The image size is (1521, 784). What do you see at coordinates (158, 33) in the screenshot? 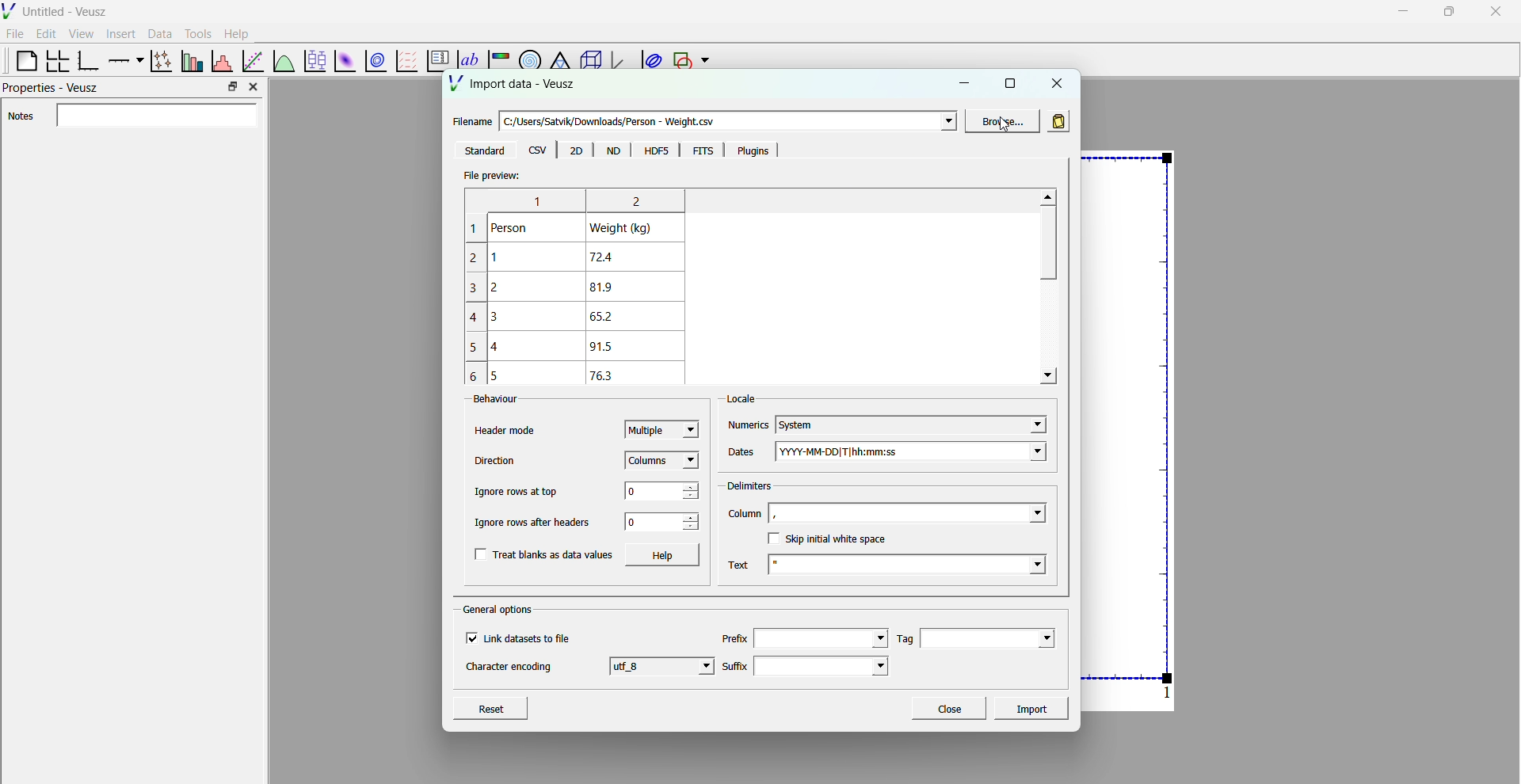
I see `data` at bounding box center [158, 33].